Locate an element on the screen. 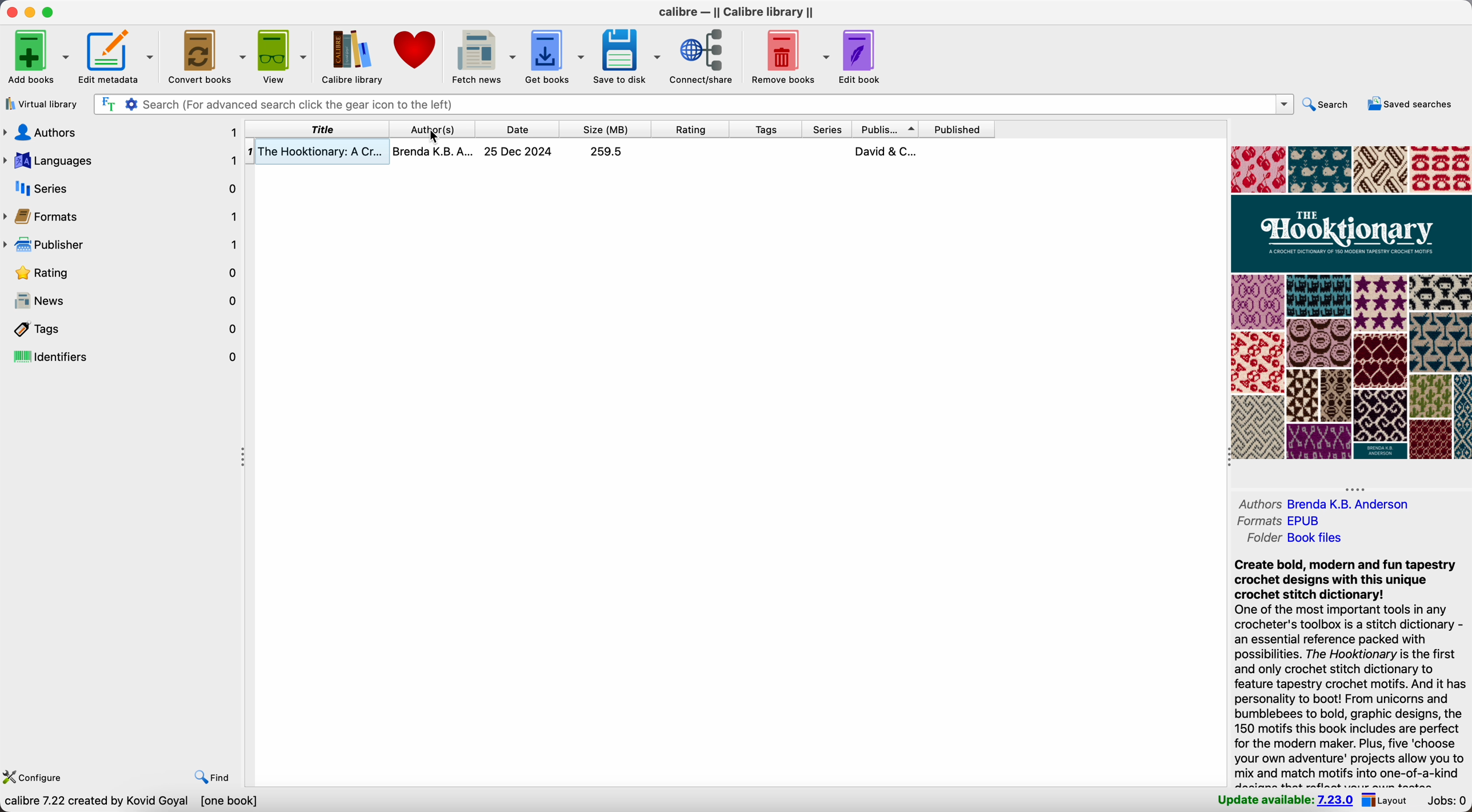 Image resolution: width=1472 pixels, height=812 pixels. synopsis is located at coordinates (1349, 671).